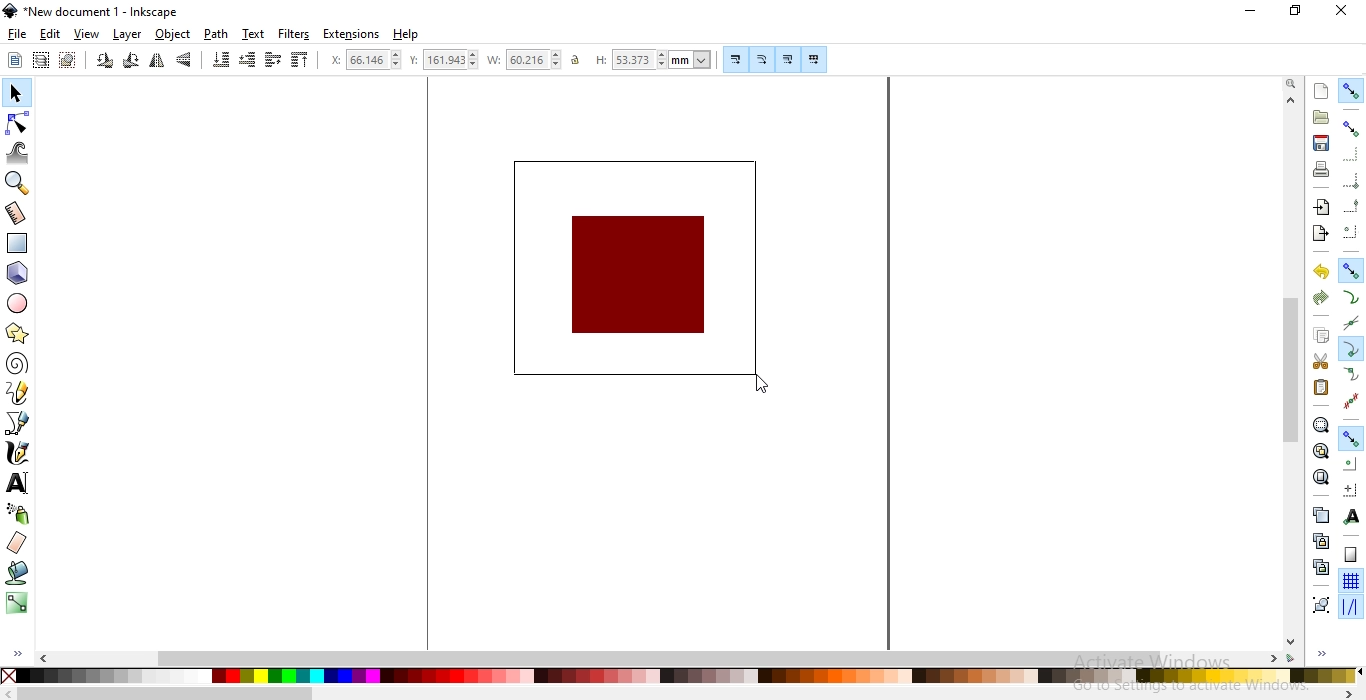 The height and width of the screenshot is (700, 1366). I want to click on horizontal coordinate of selection, so click(333, 60).